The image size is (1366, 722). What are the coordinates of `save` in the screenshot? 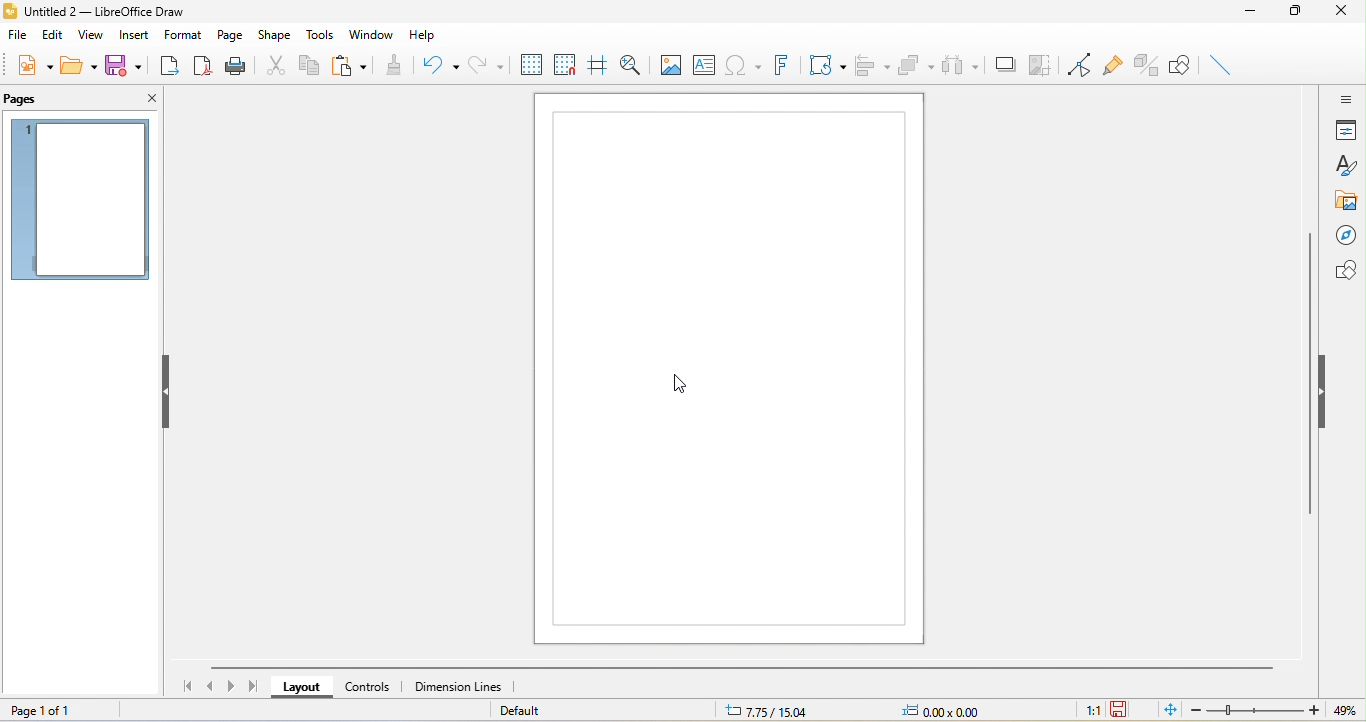 It's located at (125, 67).